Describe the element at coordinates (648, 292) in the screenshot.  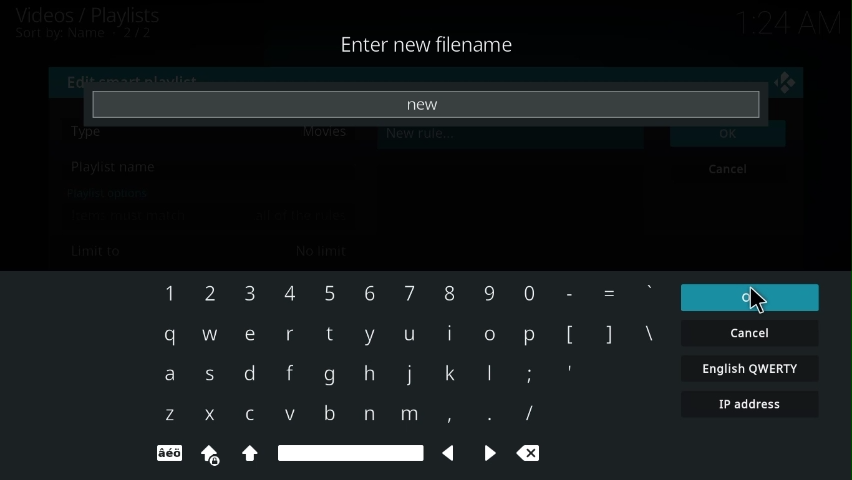
I see ``` at that location.